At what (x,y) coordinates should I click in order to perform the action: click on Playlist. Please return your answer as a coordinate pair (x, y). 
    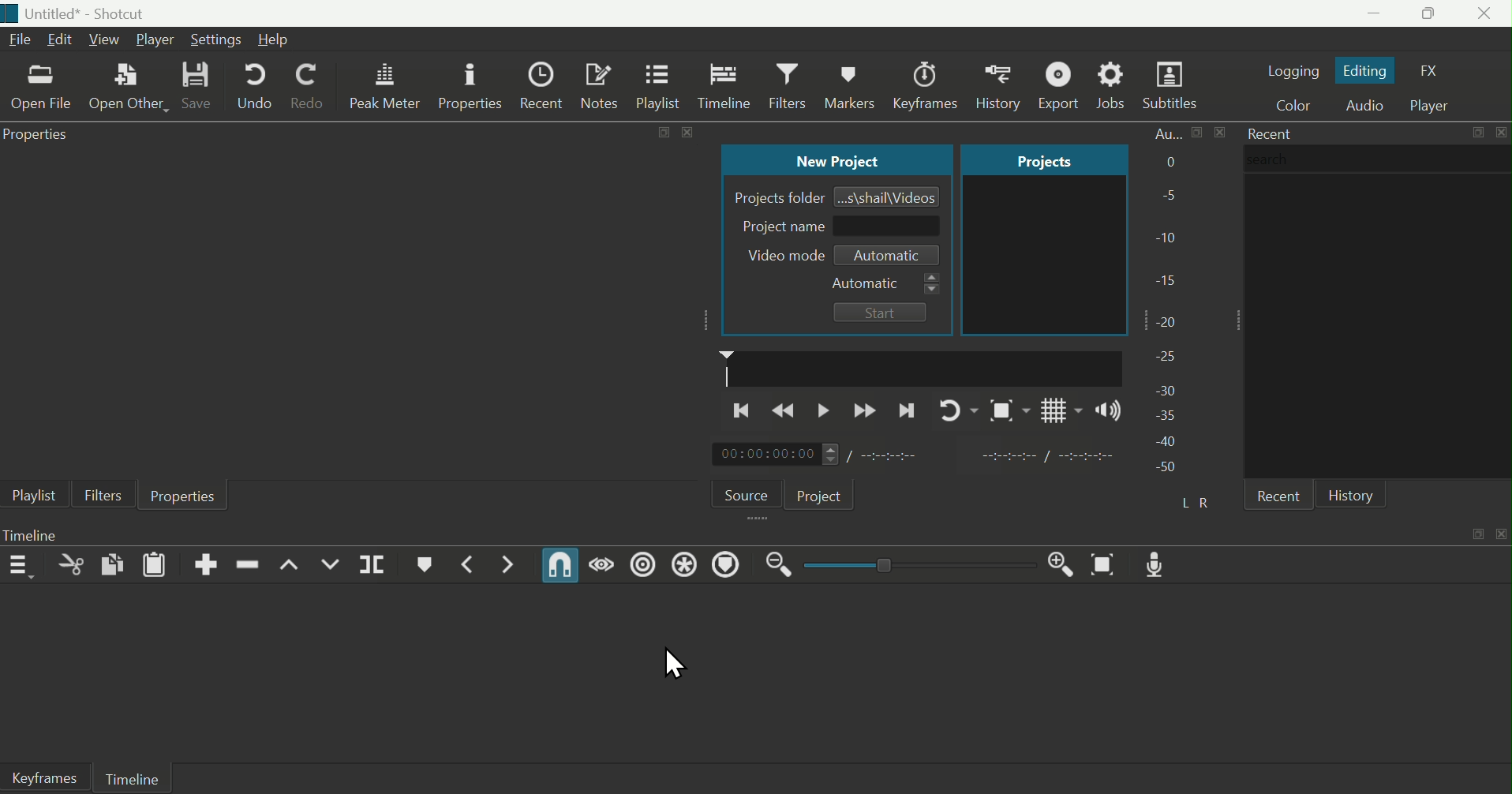
    Looking at the image, I should click on (30, 495).